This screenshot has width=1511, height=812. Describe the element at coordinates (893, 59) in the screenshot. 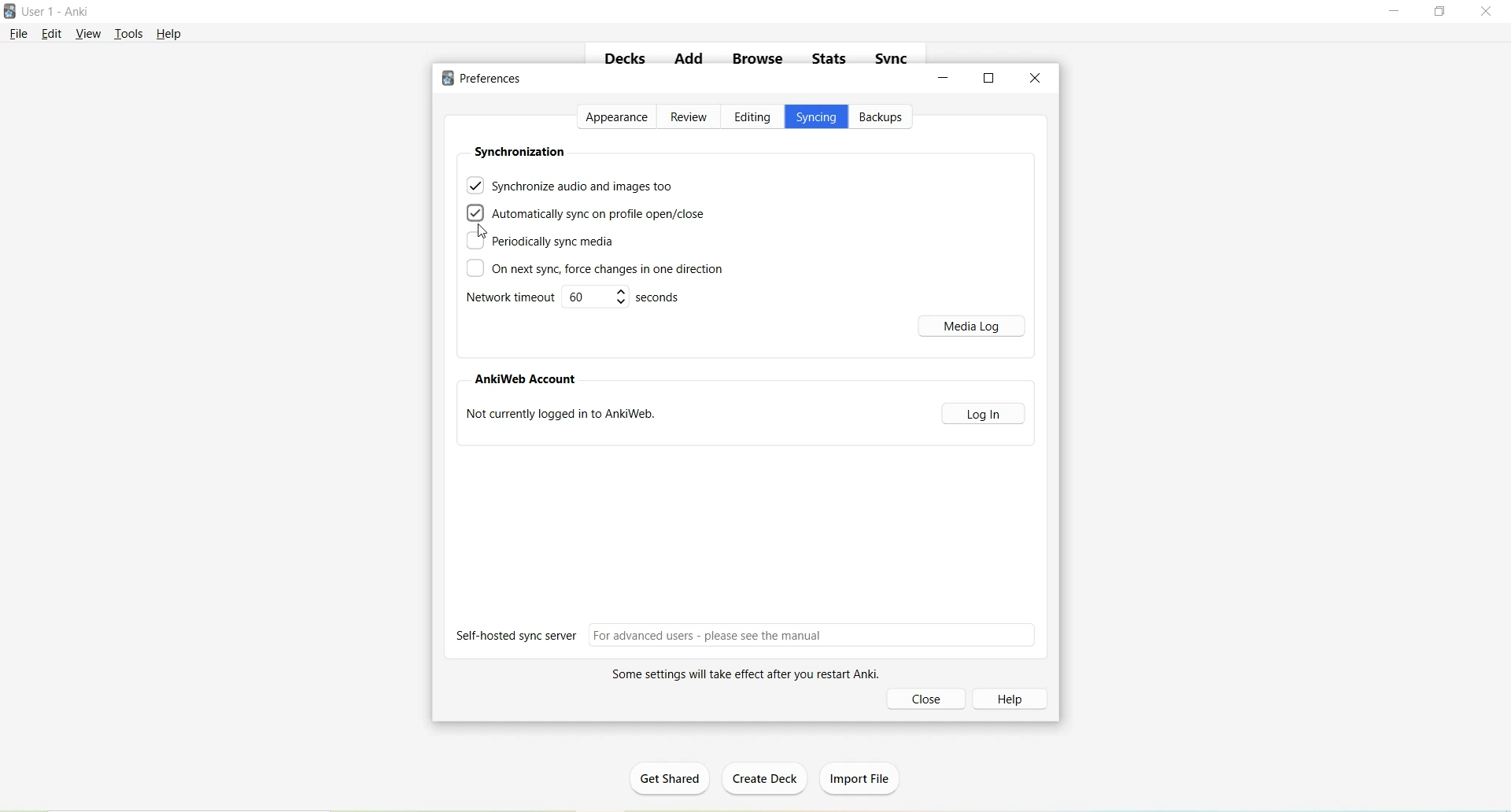

I see `Sync` at that location.